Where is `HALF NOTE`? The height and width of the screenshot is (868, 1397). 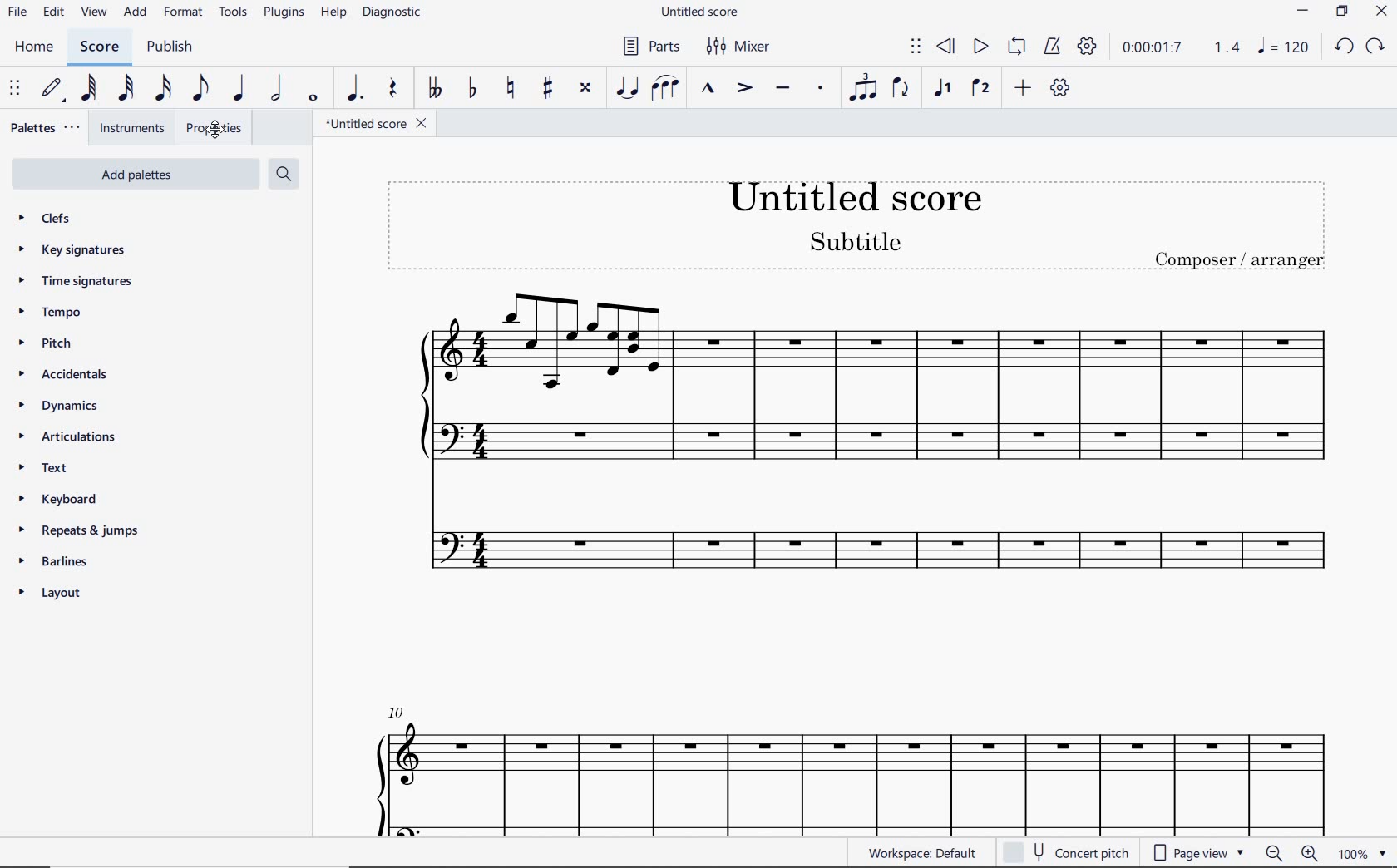
HALF NOTE is located at coordinates (278, 87).